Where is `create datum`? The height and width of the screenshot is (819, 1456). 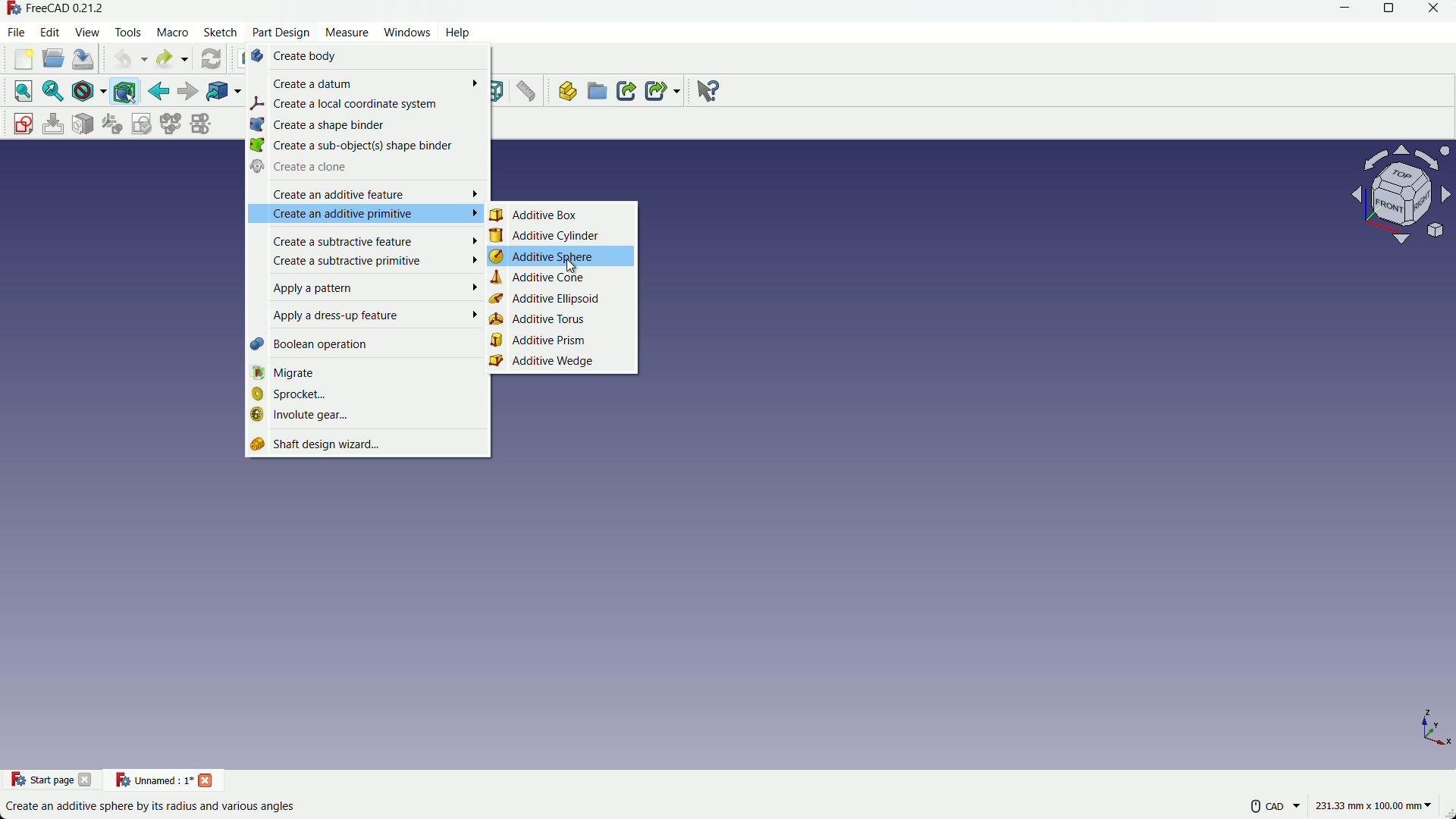 create datum is located at coordinates (366, 83).